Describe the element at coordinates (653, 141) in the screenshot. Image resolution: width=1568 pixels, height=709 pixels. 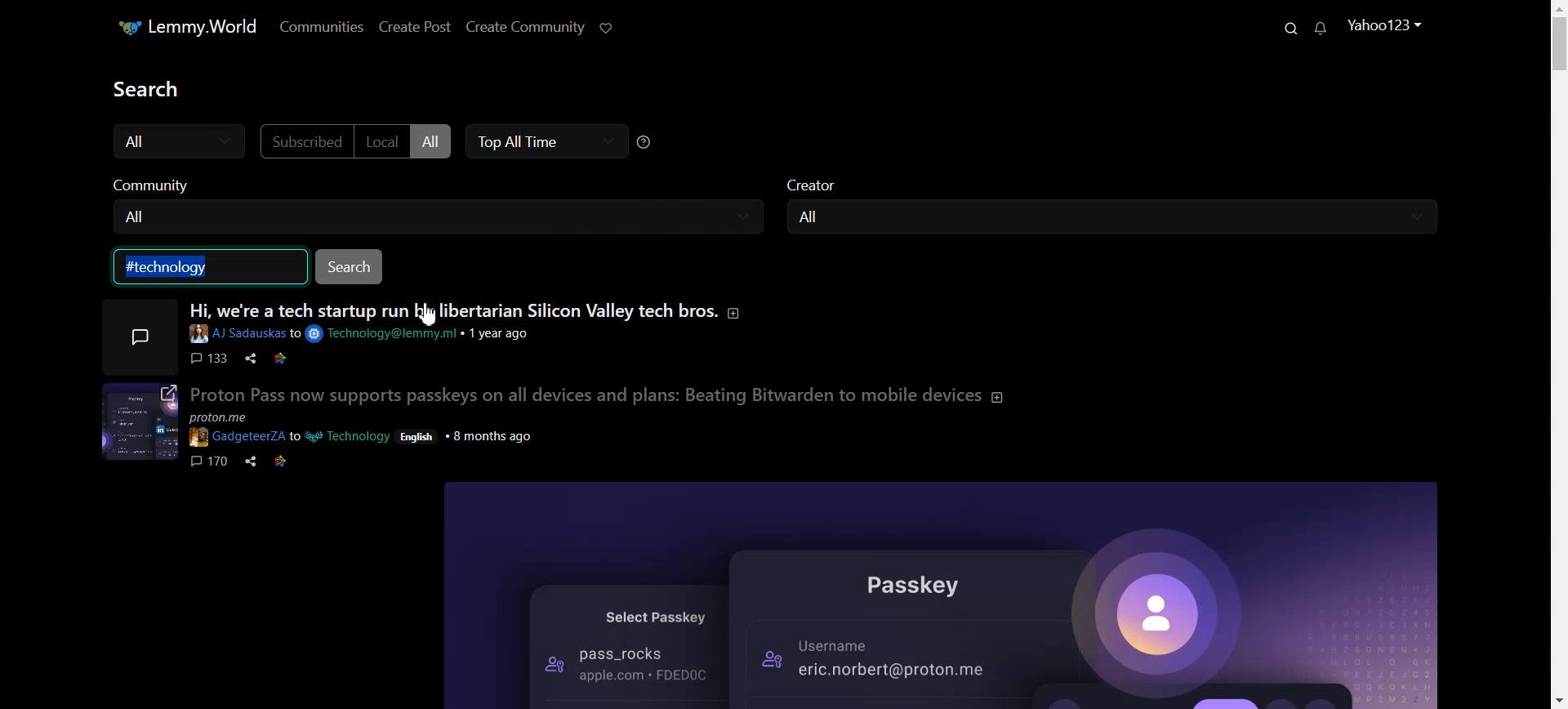
I see `Sorting Help` at that location.